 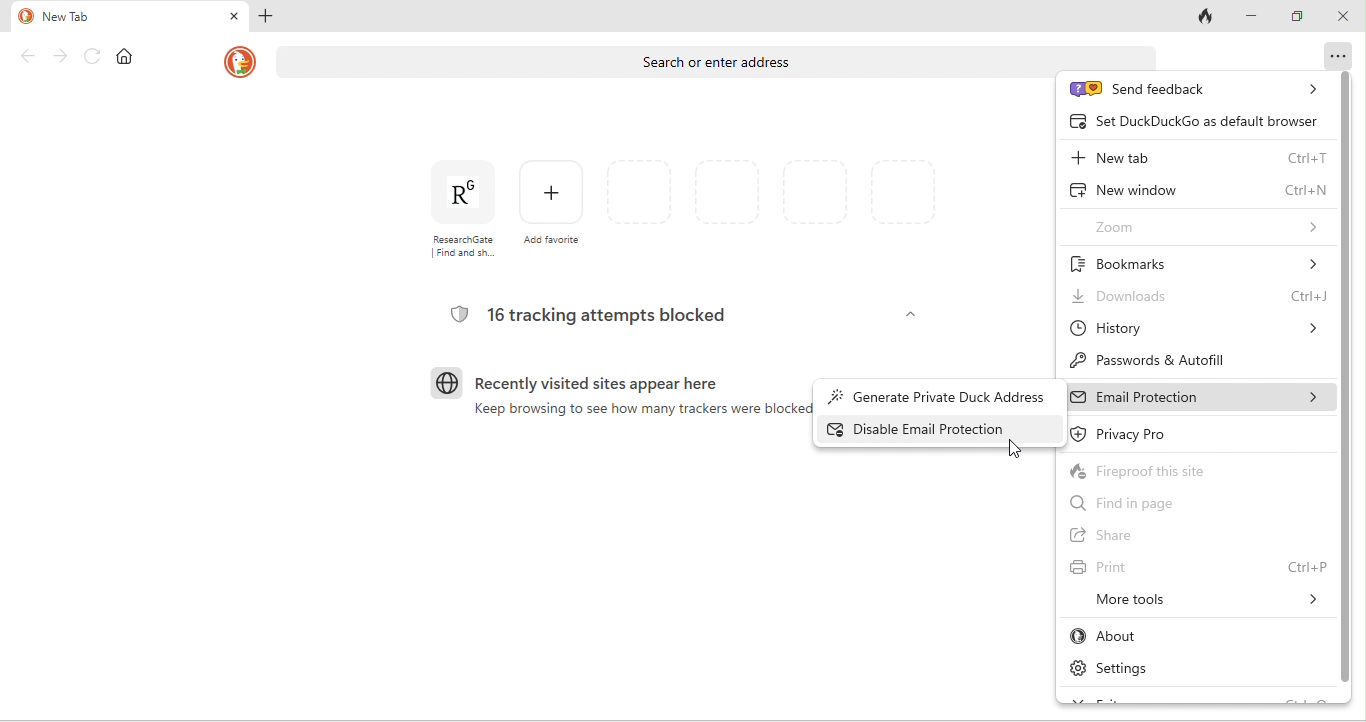 What do you see at coordinates (1198, 90) in the screenshot?
I see `send feedback` at bounding box center [1198, 90].